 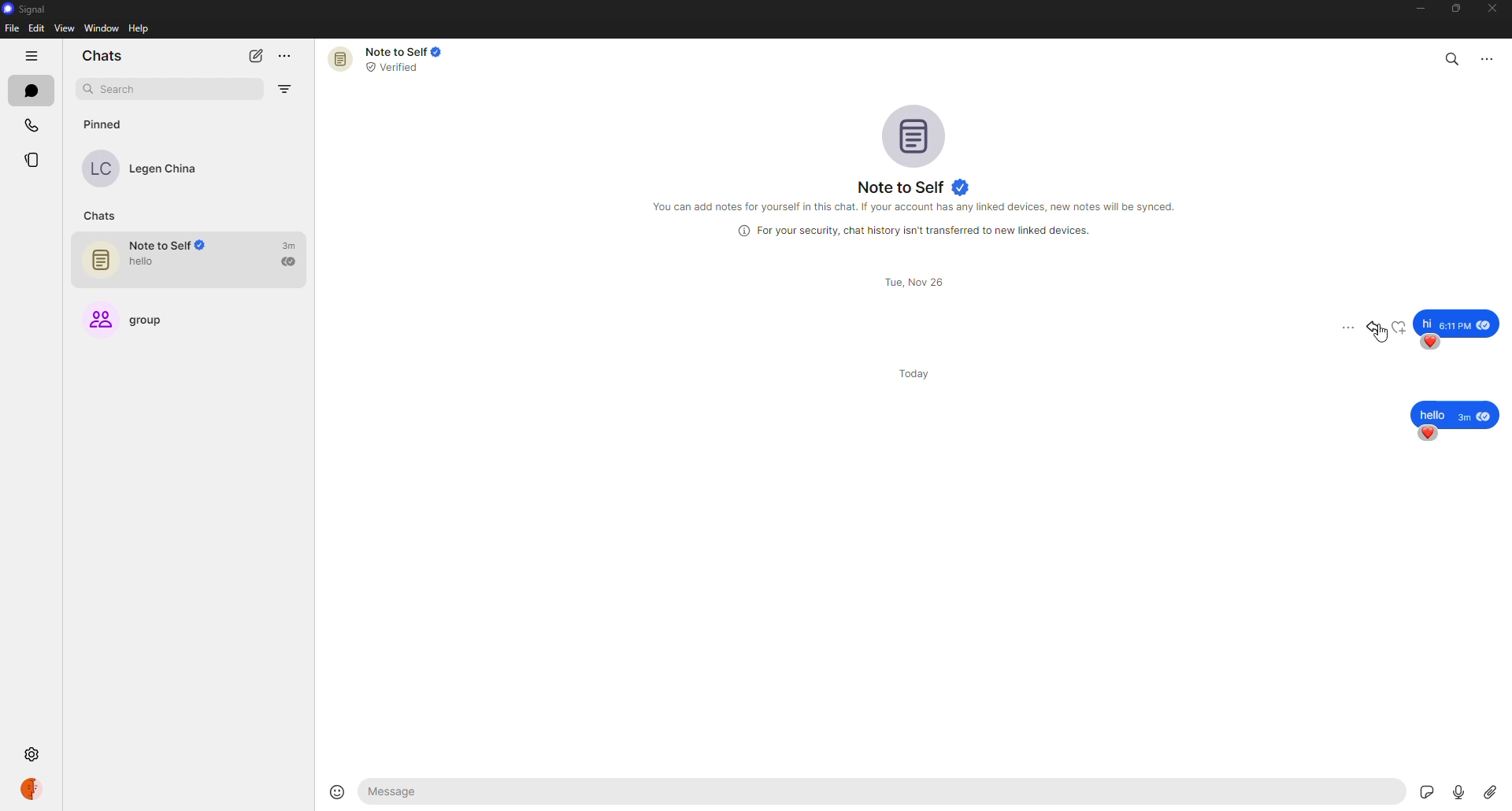 What do you see at coordinates (151, 168) in the screenshot?
I see `contact` at bounding box center [151, 168].